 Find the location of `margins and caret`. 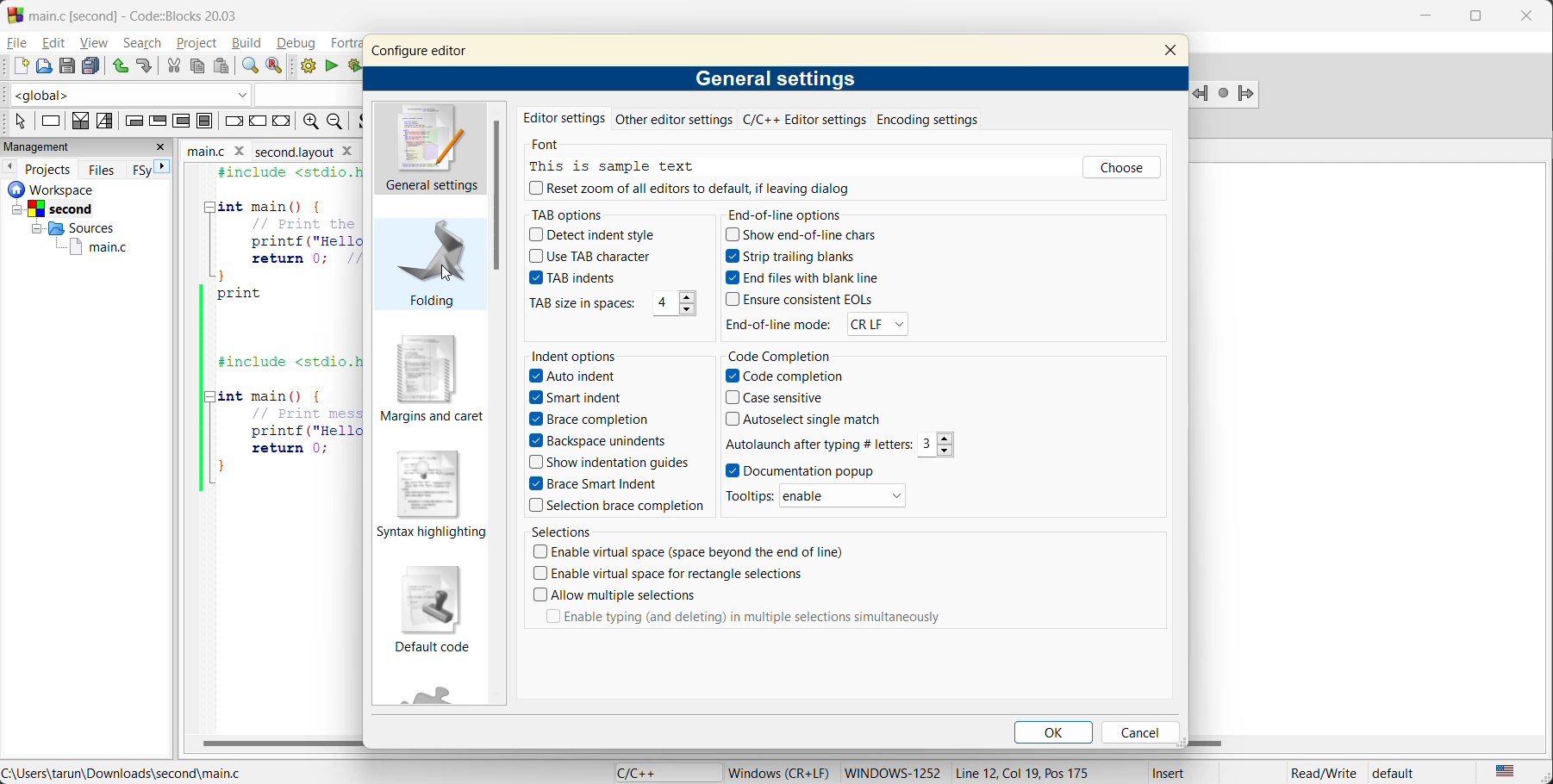

margins and caret is located at coordinates (434, 377).